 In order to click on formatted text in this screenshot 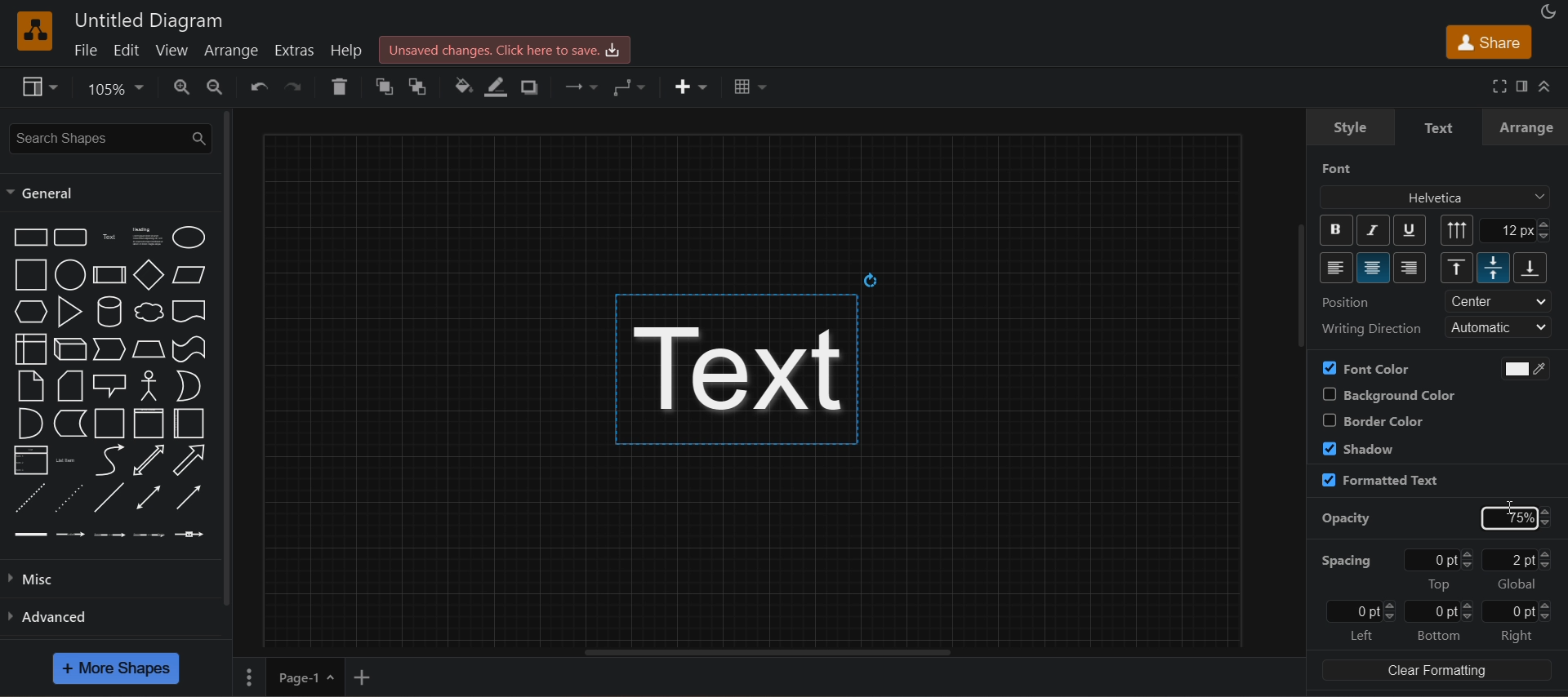, I will do `click(1379, 481)`.